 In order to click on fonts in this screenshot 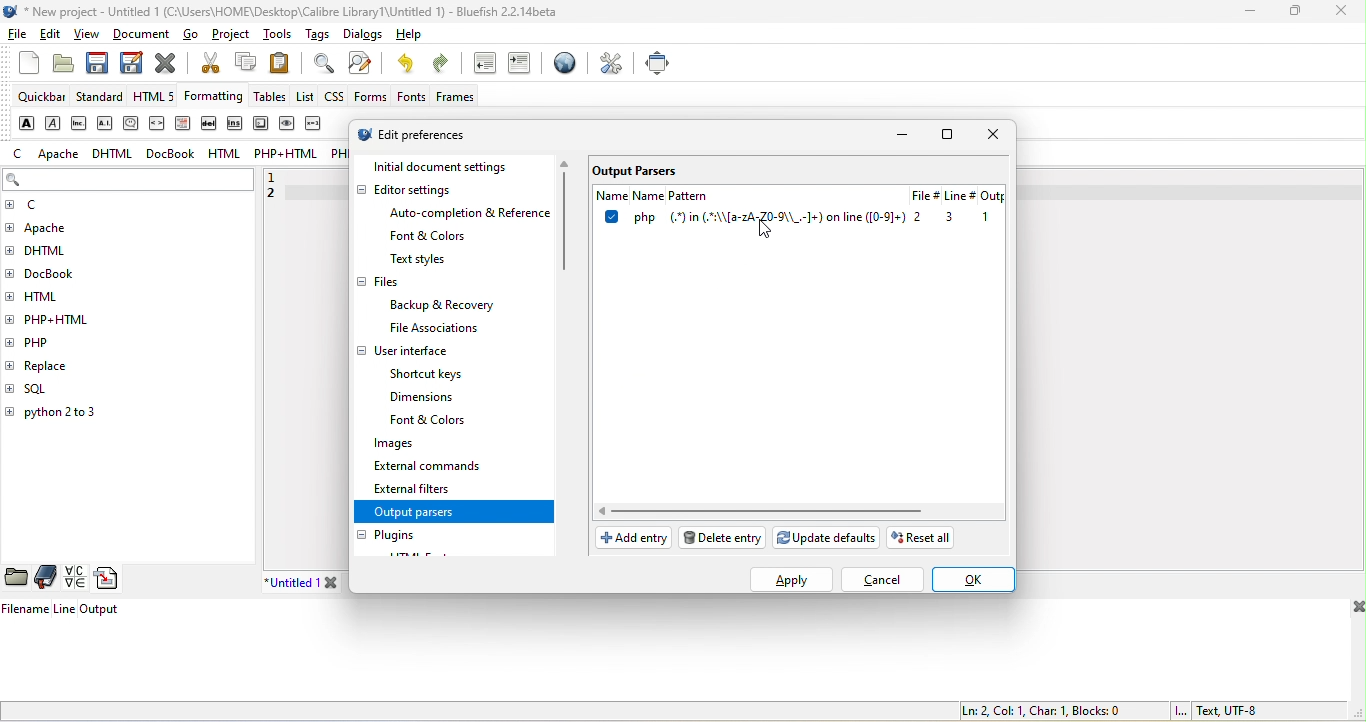, I will do `click(413, 97)`.